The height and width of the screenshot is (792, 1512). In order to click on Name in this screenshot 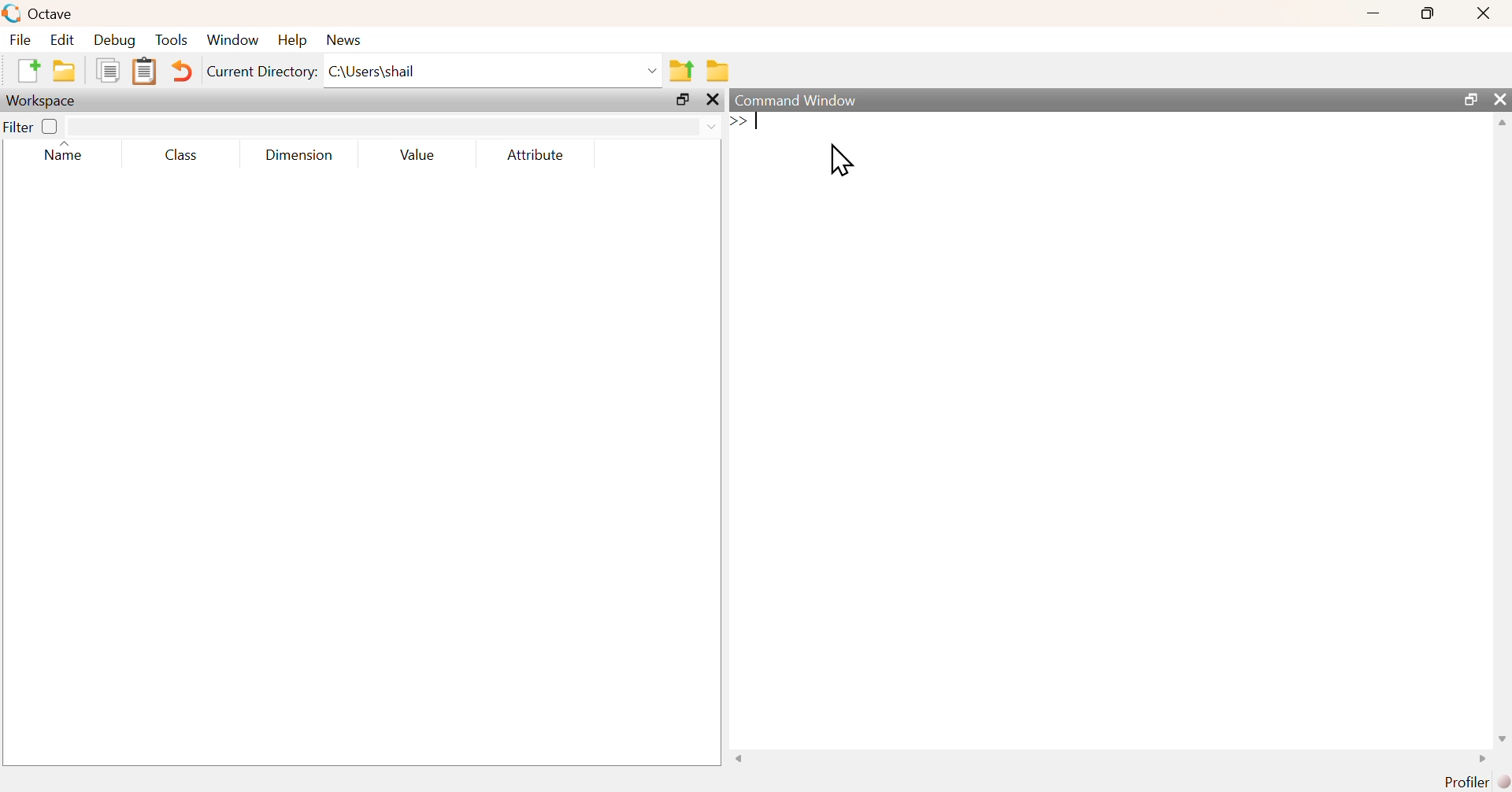, I will do `click(72, 153)`.